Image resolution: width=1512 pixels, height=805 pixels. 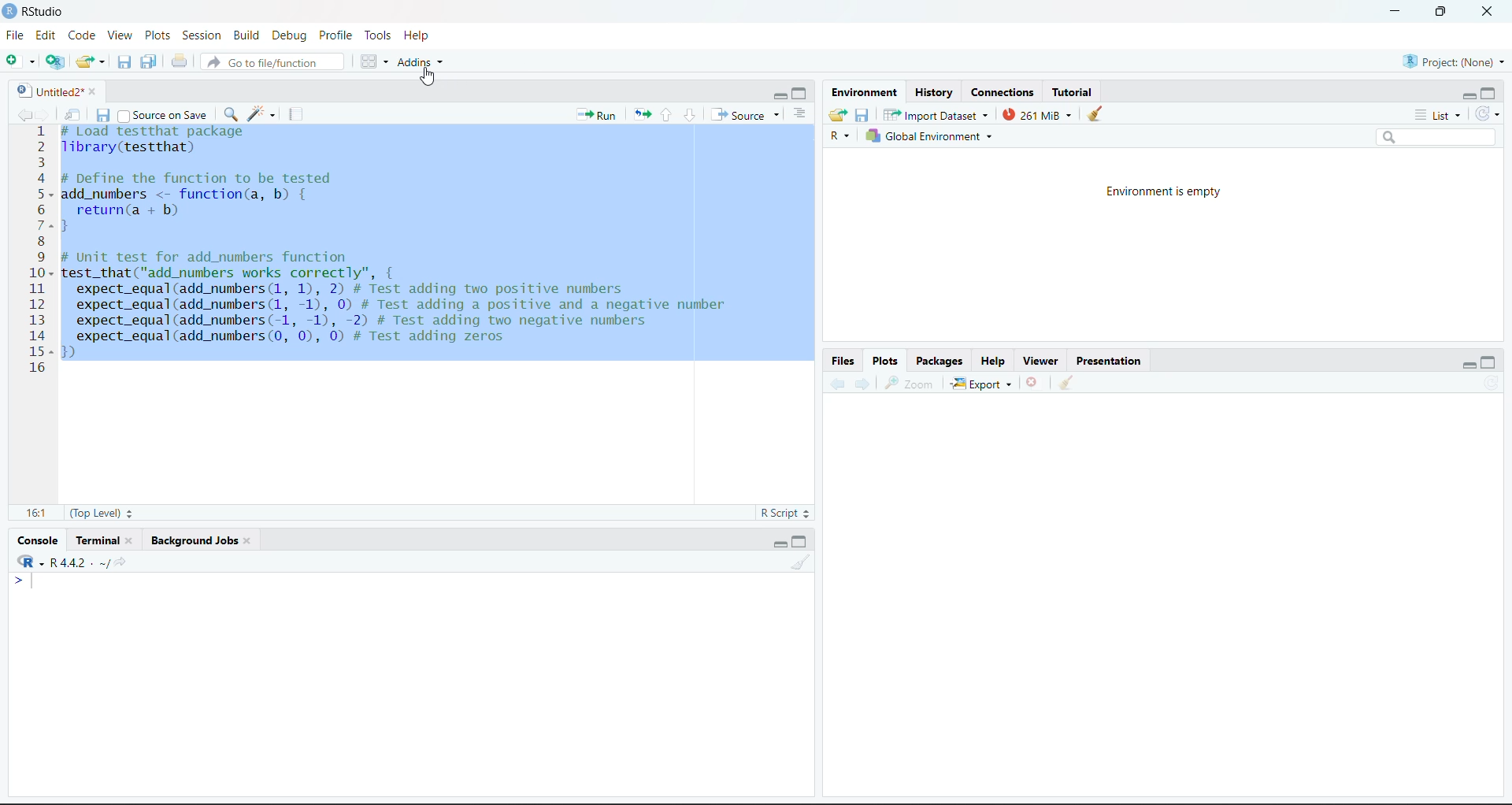 What do you see at coordinates (81, 35) in the screenshot?
I see `Code` at bounding box center [81, 35].